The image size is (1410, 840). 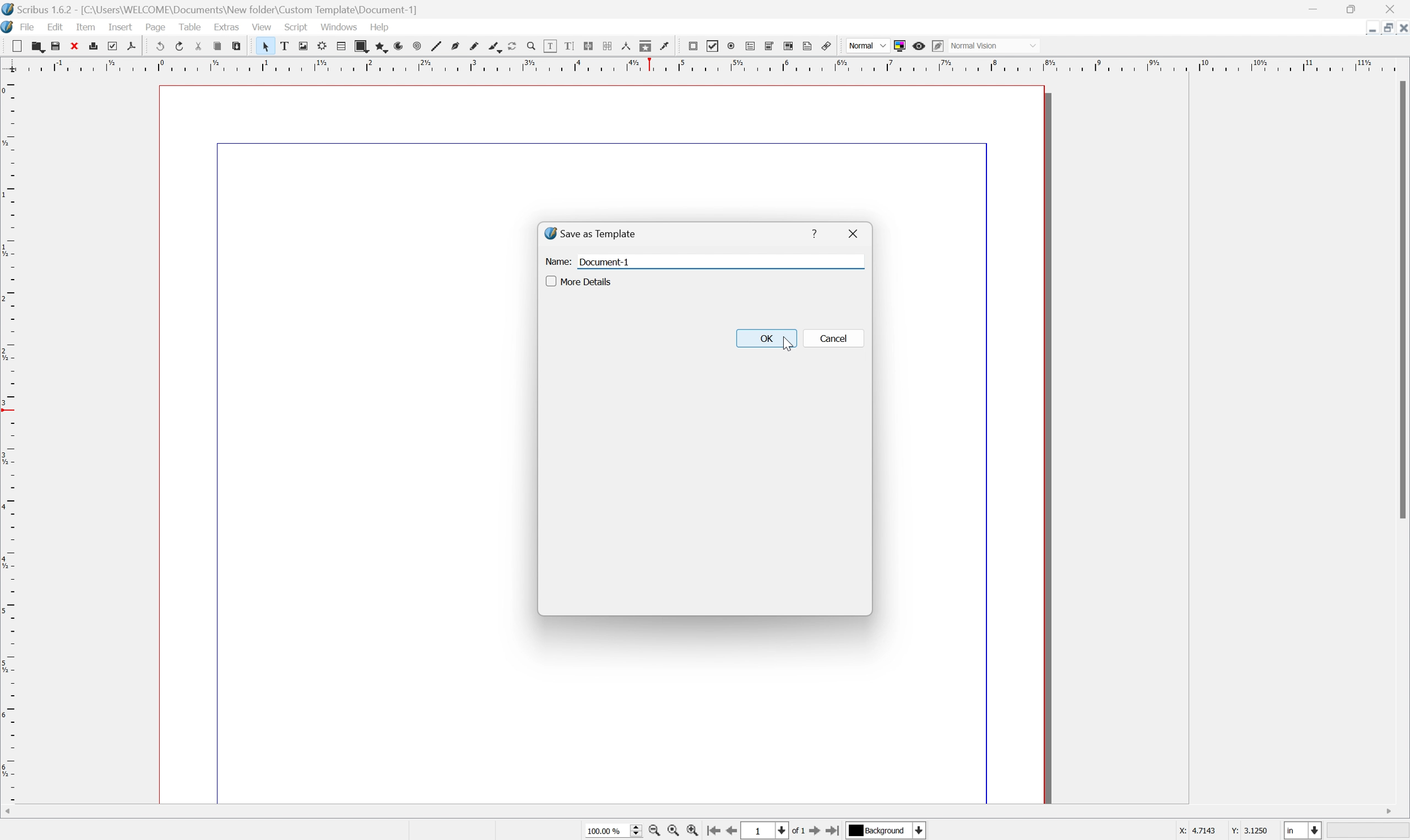 I want to click on copy, so click(x=36, y=44).